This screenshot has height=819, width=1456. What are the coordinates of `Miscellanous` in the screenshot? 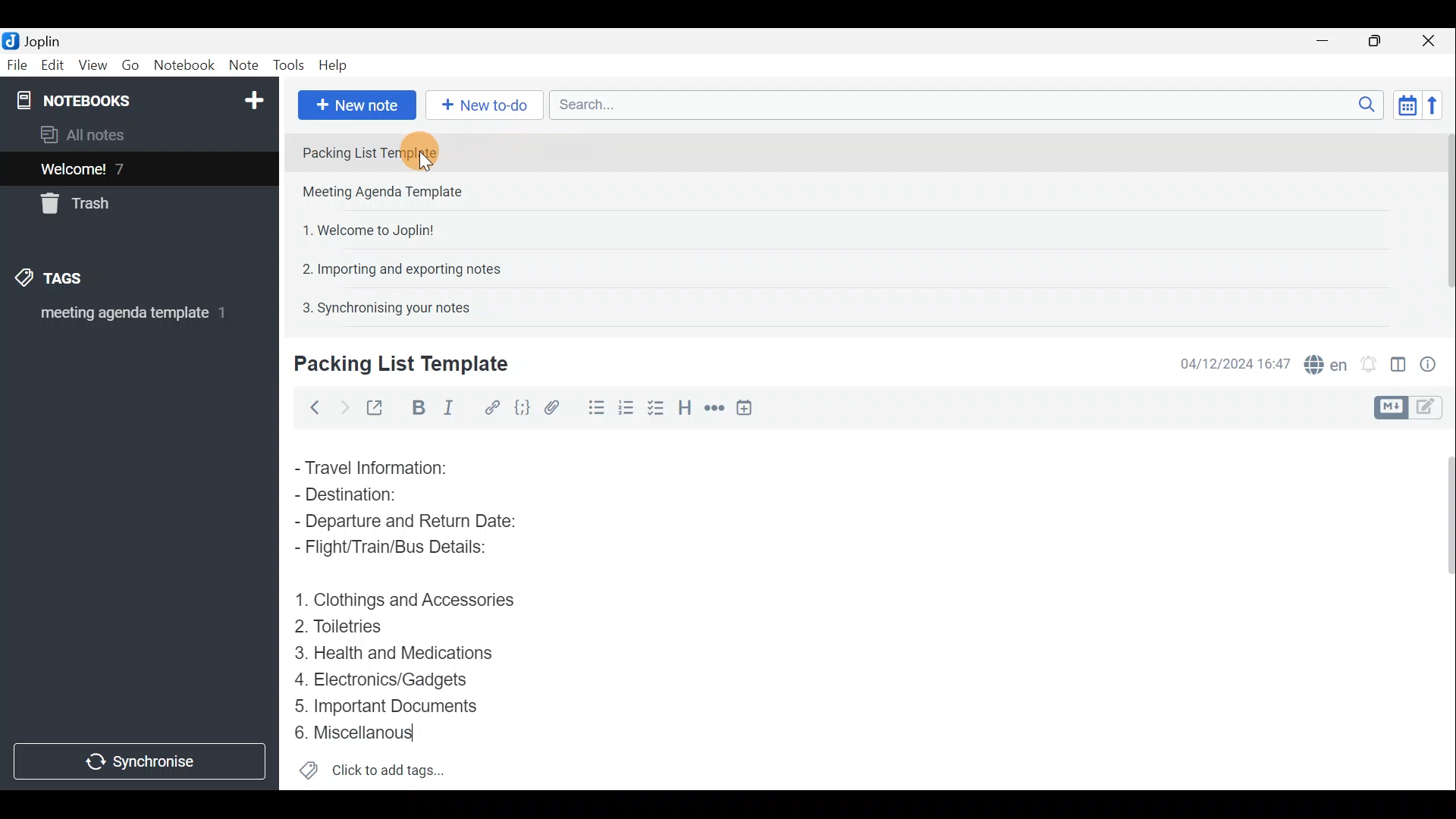 It's located at (356, 733).